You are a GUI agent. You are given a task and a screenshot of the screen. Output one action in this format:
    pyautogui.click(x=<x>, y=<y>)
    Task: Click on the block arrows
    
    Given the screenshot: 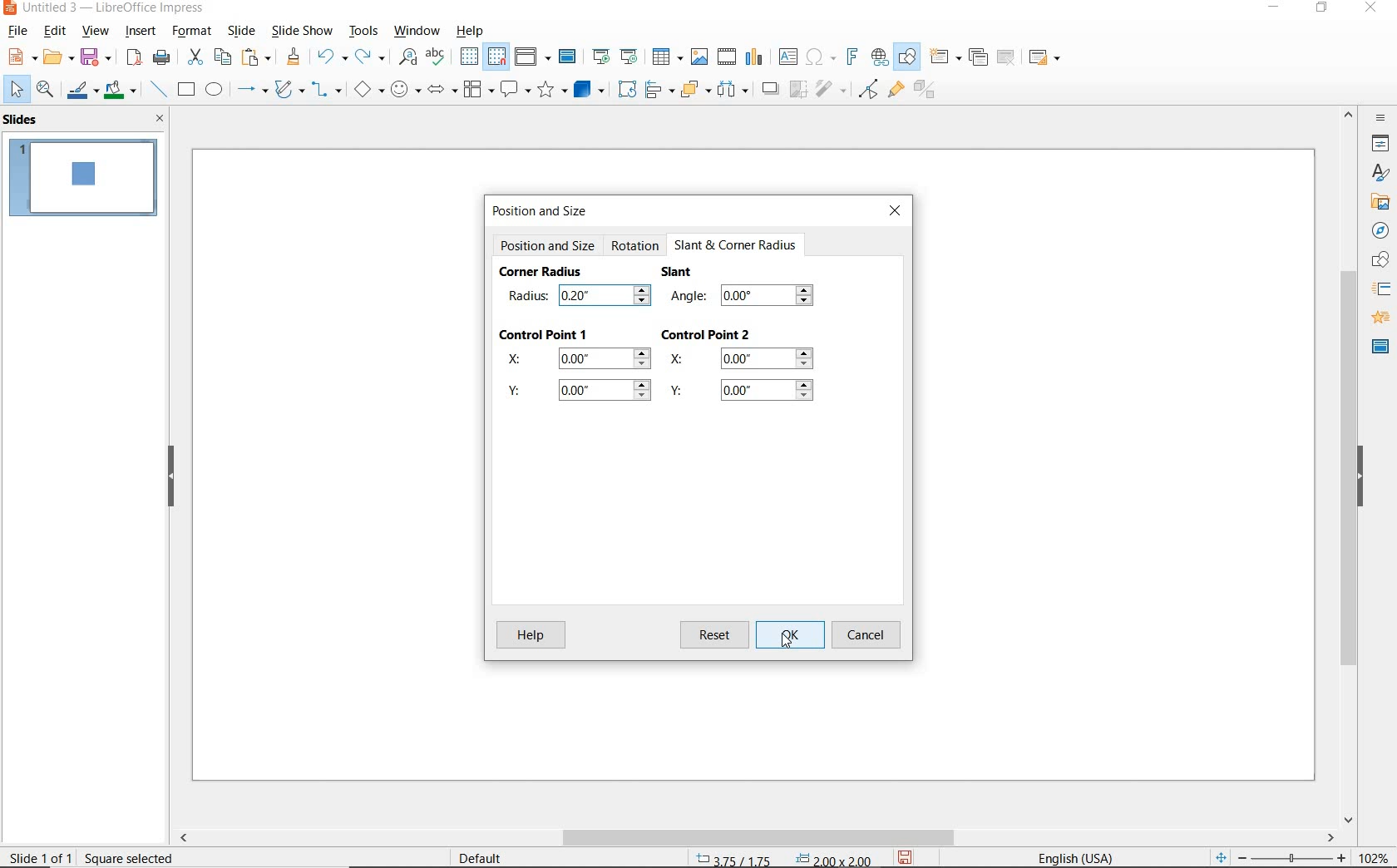 What is the action you would take?
    pyautogui.click(x=442, y=91)
    